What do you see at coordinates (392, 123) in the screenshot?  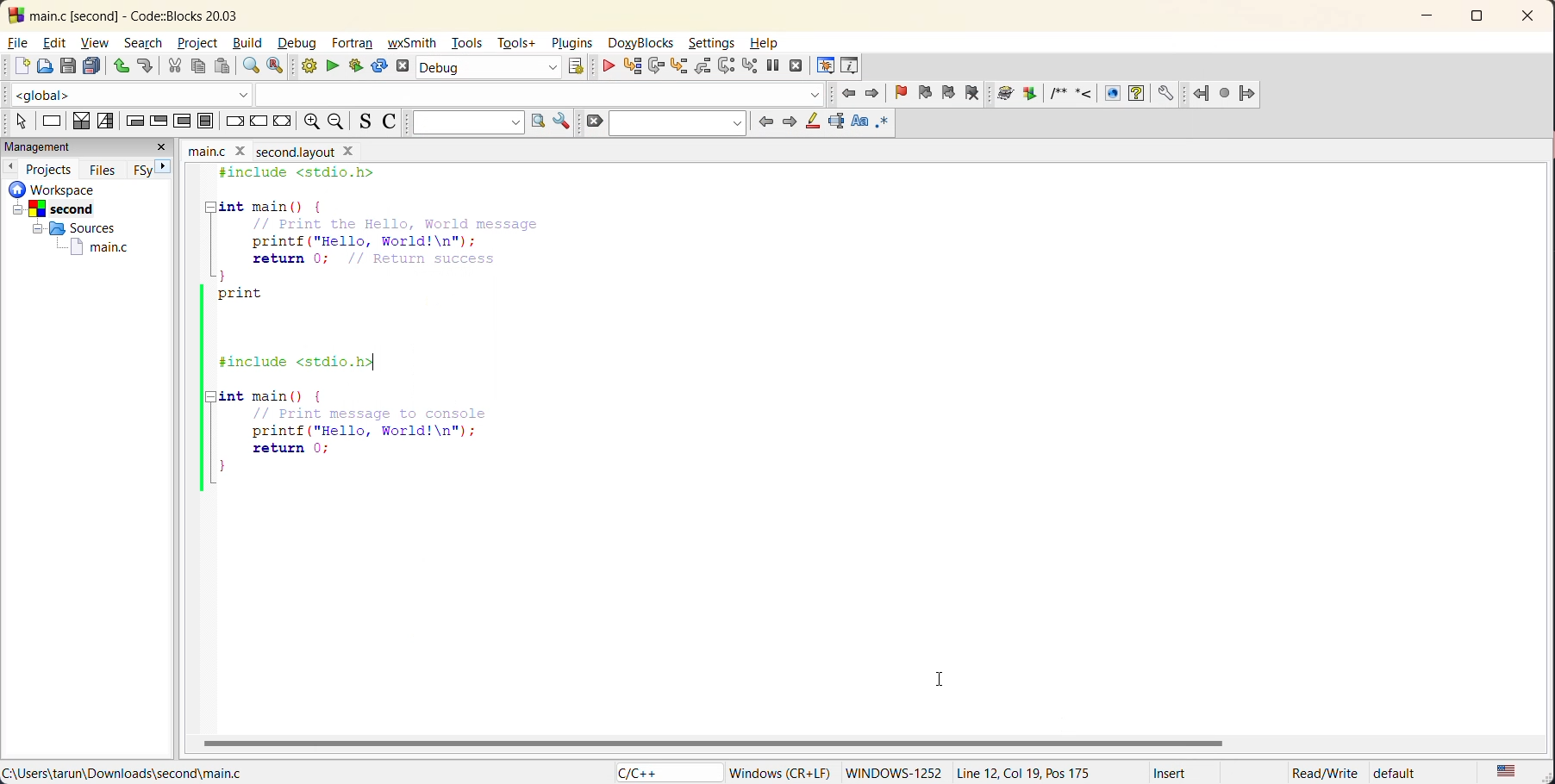 I see `toggle comments` at bounding box center [392, 123].